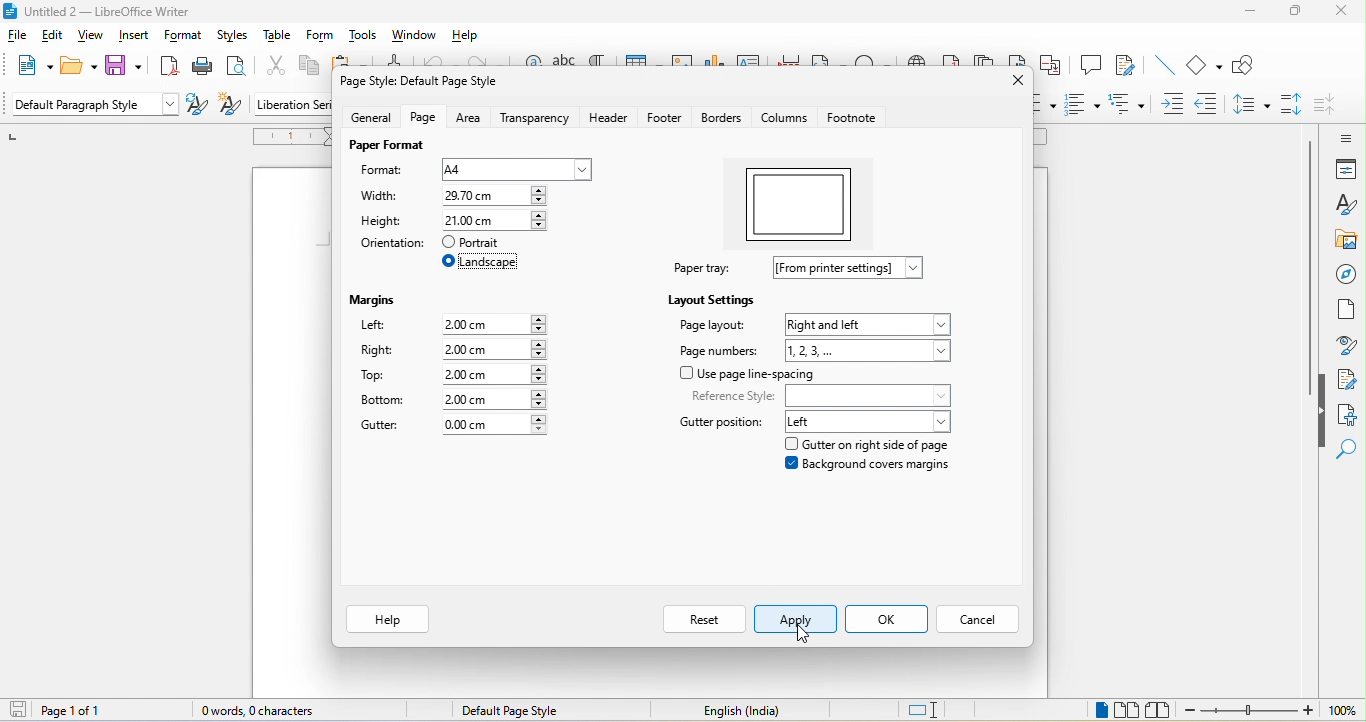  What do you see at coordinates (1293, 107) in the screenshot?
I see `increase paragraph spacing` at bounding box center [1293, 107].